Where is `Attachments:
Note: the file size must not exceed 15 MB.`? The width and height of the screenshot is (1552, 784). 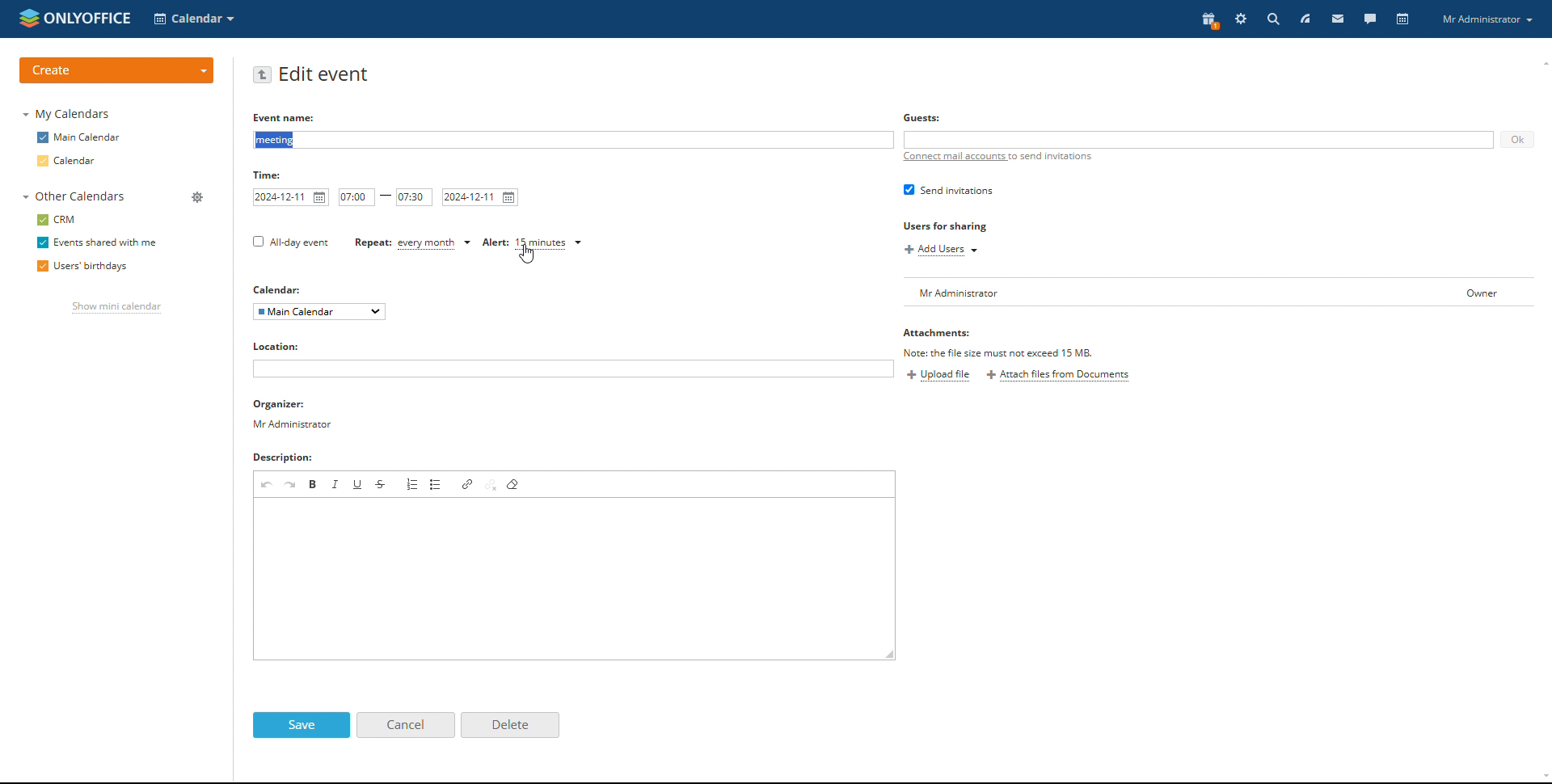
Attachments:
Note: the file size must not exceed 15 MB. is located at coordinates (997, 343).